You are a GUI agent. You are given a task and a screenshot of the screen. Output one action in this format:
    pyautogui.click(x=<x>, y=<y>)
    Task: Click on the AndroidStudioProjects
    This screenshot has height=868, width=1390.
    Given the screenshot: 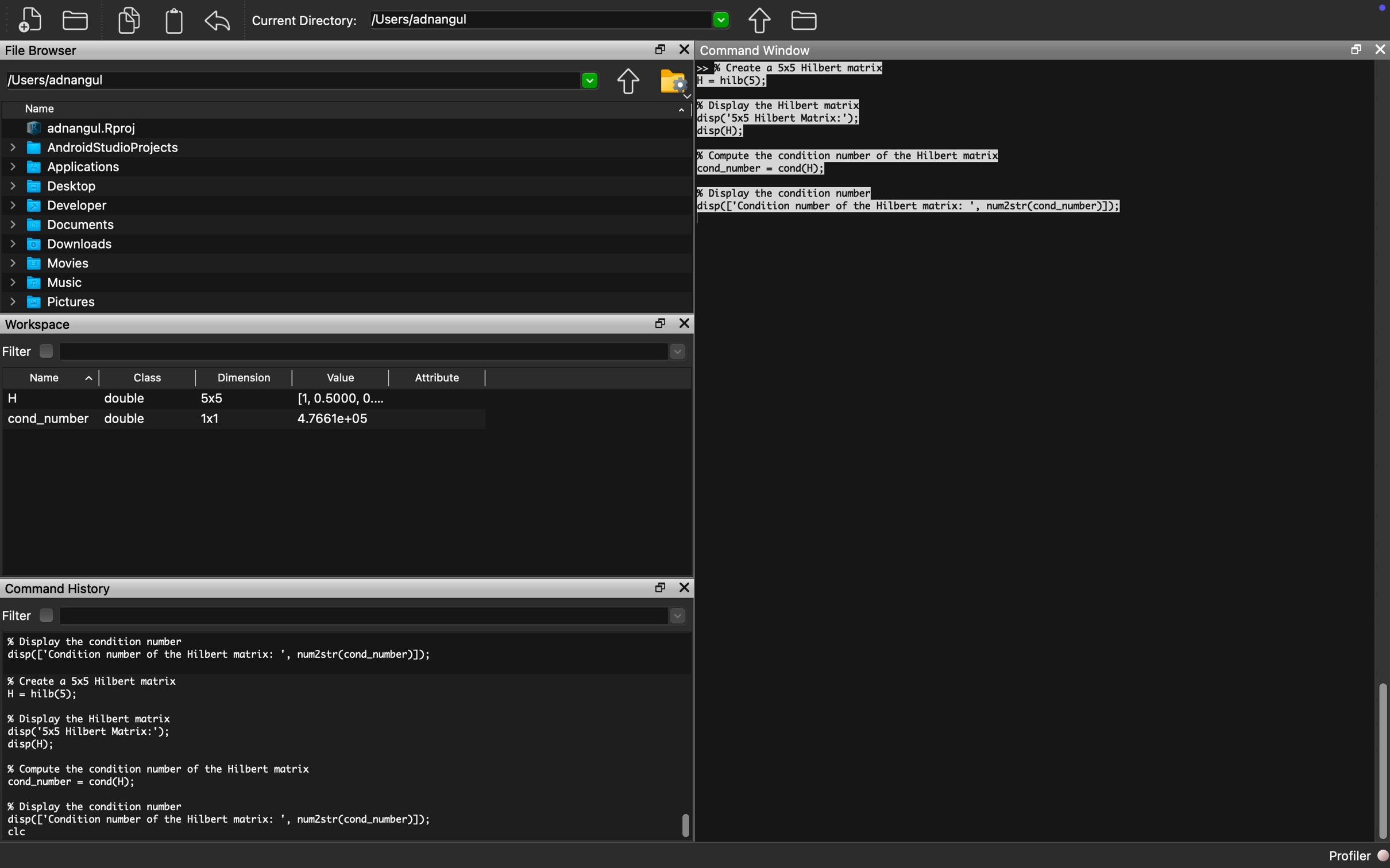 What is the action you would take?
    pyautogui.click(x=94, y=148)
    